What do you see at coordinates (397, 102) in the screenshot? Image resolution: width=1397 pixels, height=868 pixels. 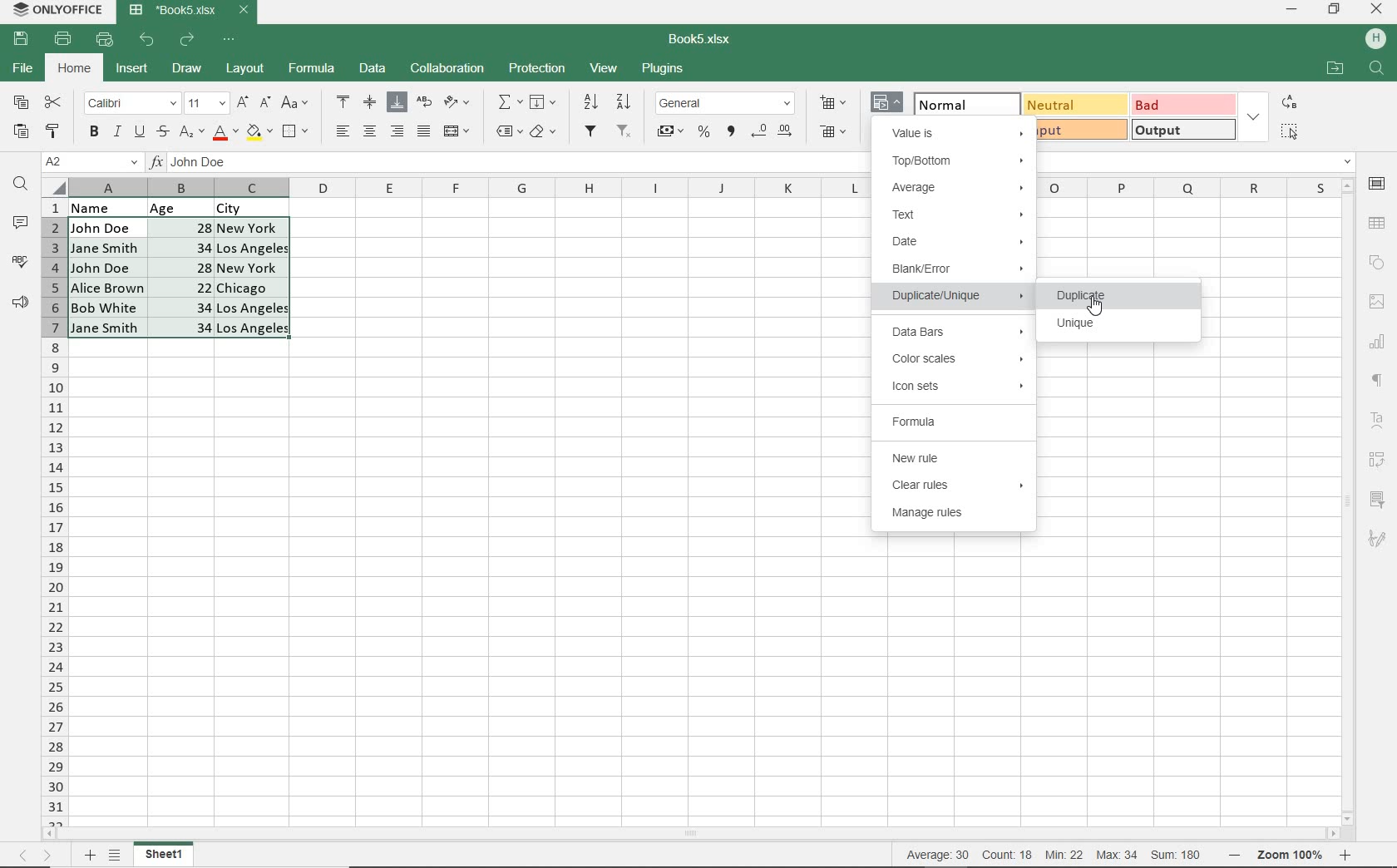 I see `ALIGN BOTTOM` at bounding box center [397, 102].